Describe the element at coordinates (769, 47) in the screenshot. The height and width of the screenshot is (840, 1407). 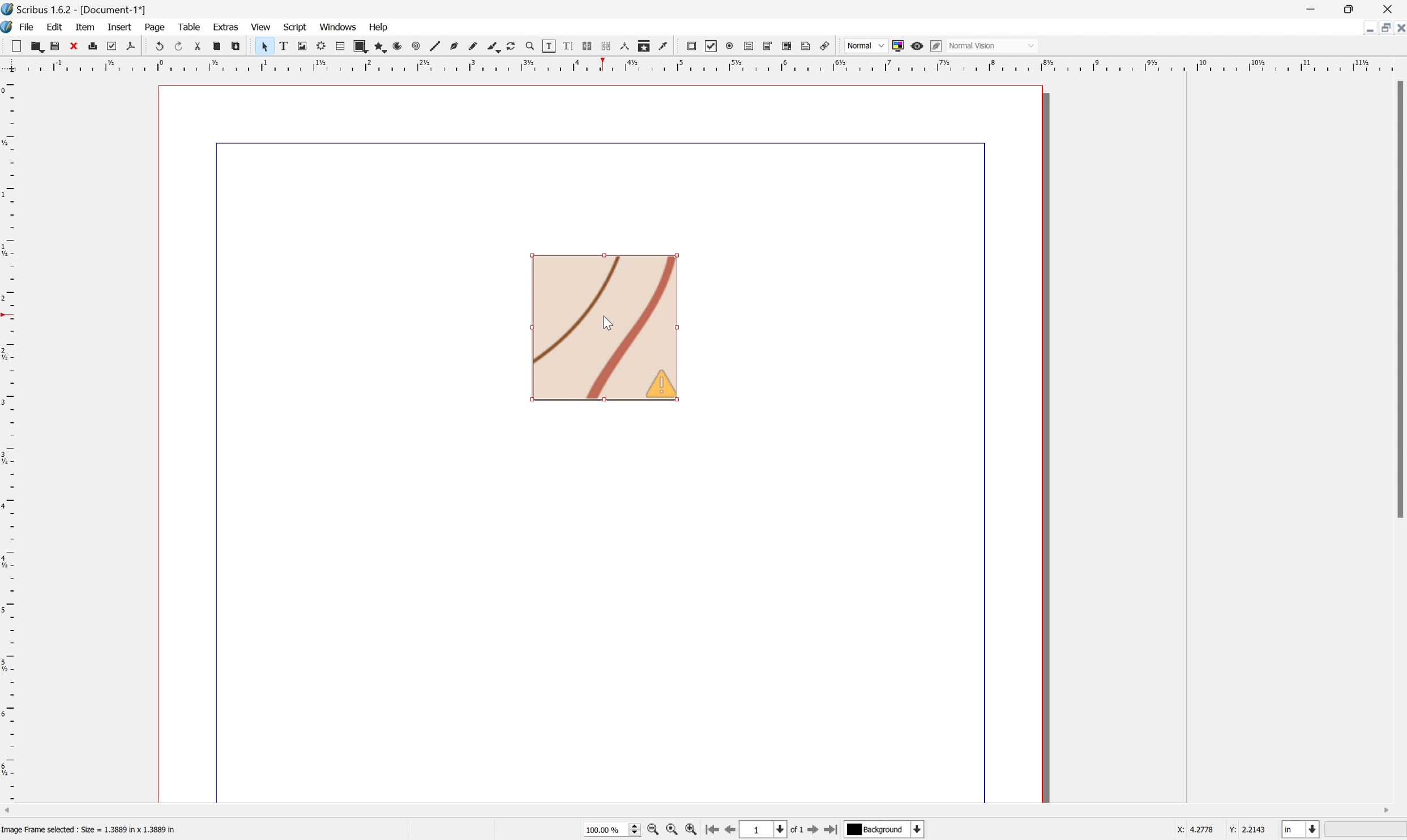
I see `PDF combo box` at that location.